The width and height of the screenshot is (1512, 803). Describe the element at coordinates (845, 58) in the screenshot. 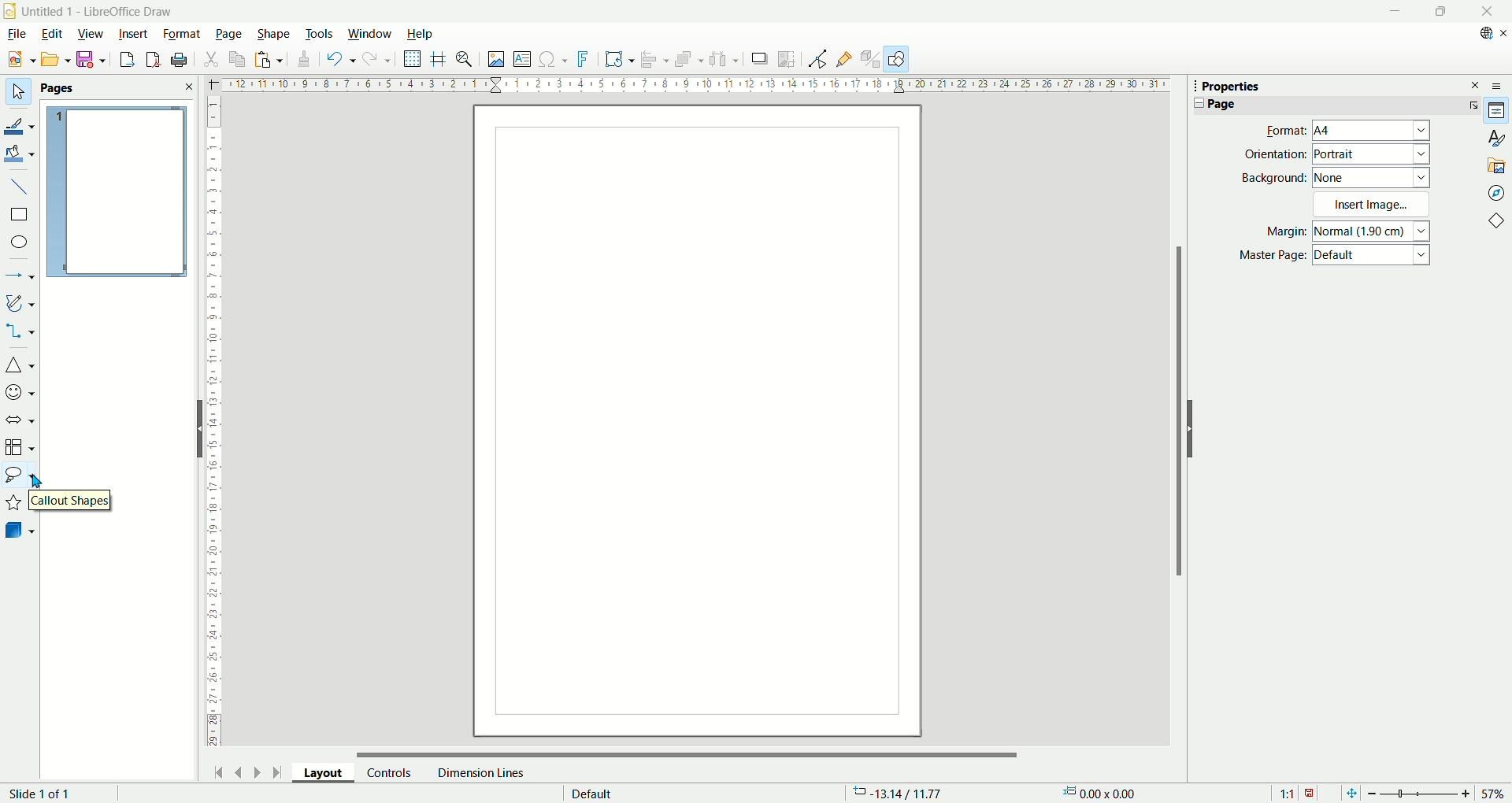

I see `gluepoint function` at that location.